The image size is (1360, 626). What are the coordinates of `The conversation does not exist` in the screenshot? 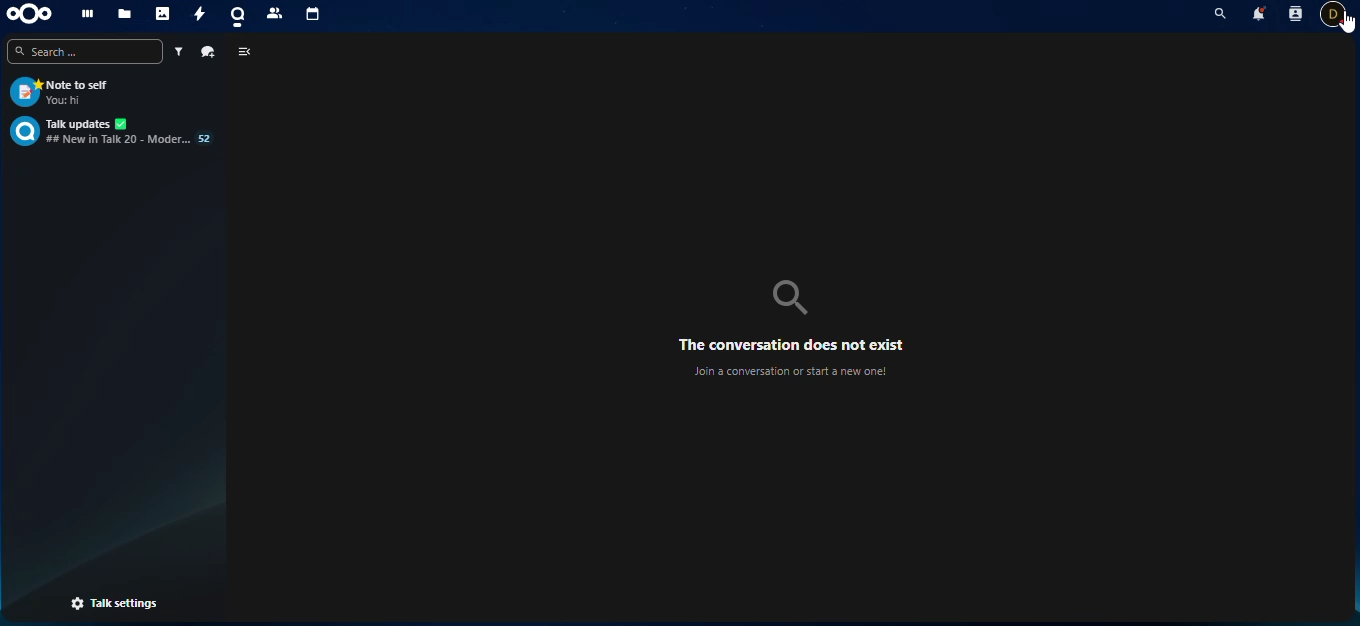 It's located at (791, 345).